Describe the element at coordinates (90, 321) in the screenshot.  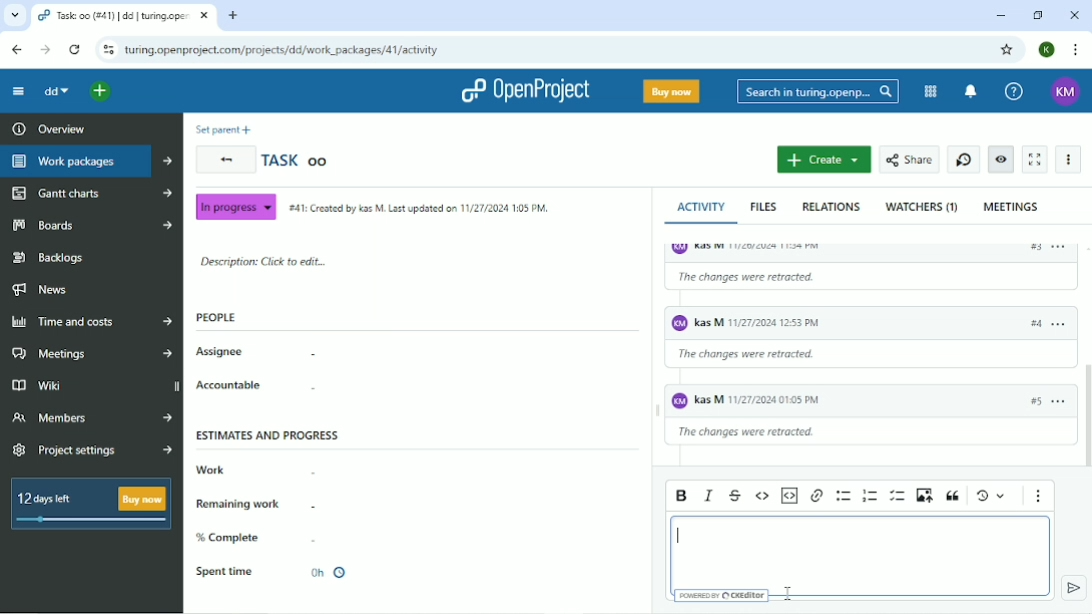
I see `Time and costs` at that location.